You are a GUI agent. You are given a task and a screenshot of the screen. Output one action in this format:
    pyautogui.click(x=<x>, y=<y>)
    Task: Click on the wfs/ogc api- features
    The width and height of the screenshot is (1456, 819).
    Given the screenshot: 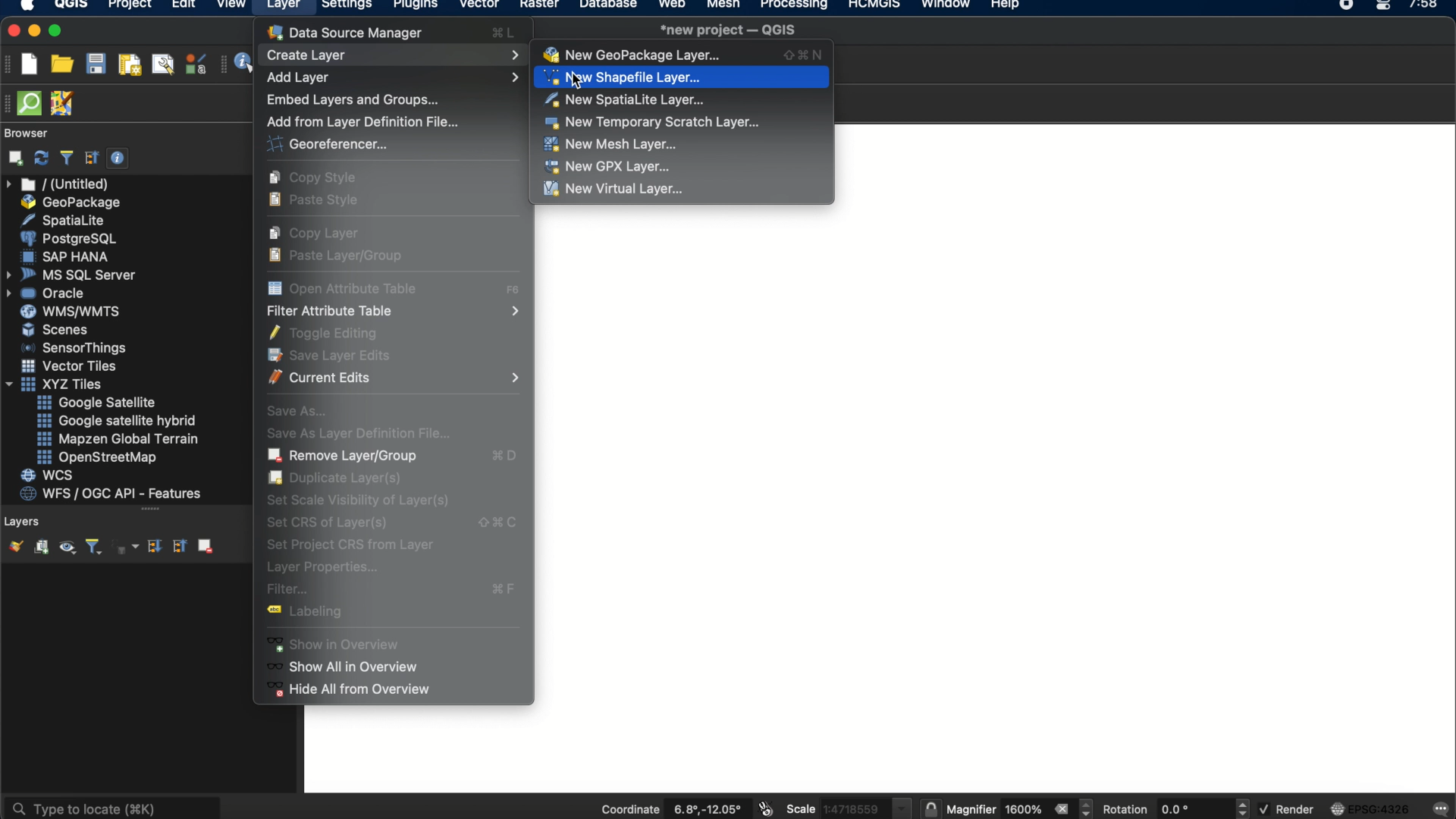 What is the action you would take?
    pyautogui.click(x=111, y=494)
    